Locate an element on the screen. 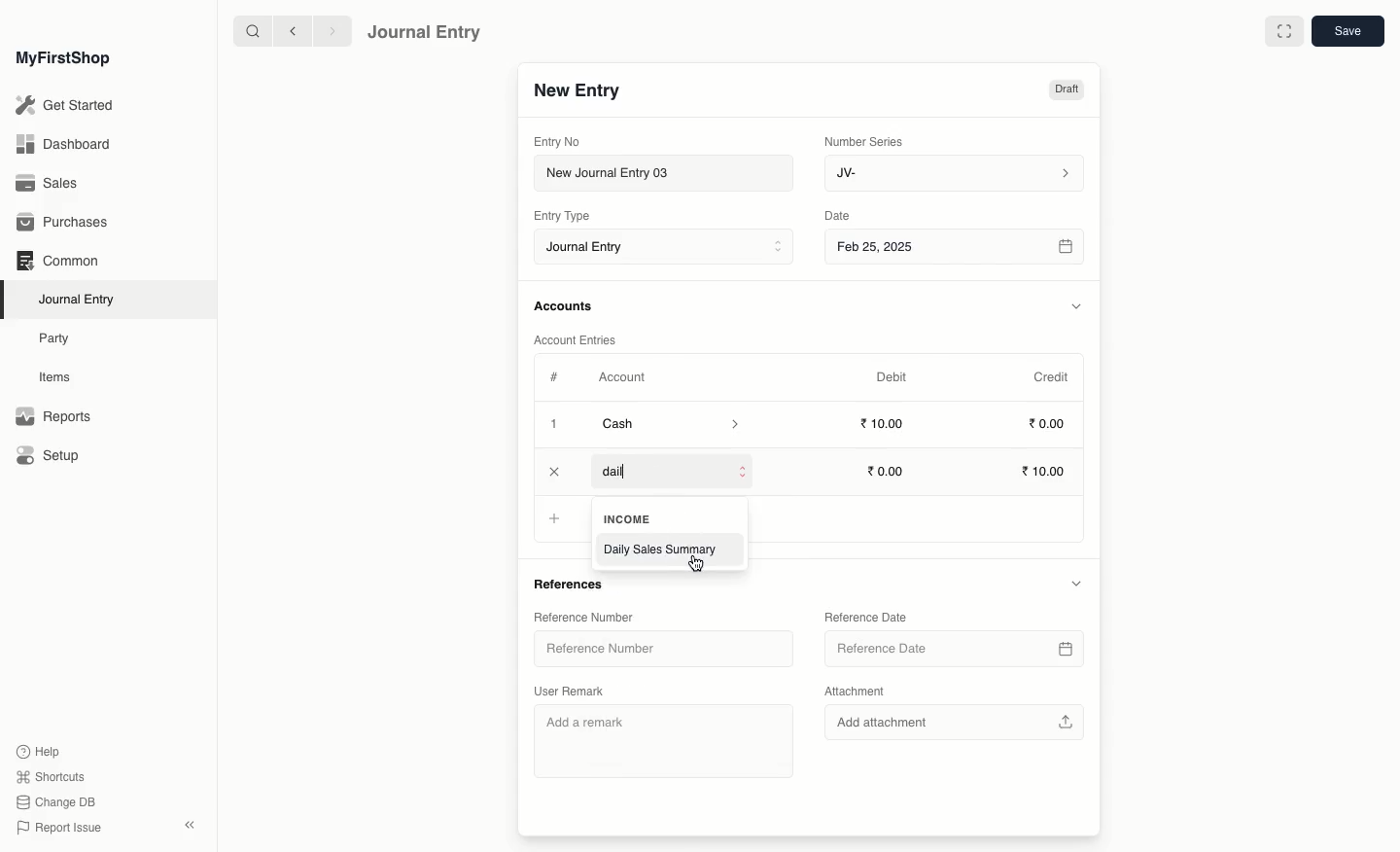  Add attachment is located at coordinates (952, 720).